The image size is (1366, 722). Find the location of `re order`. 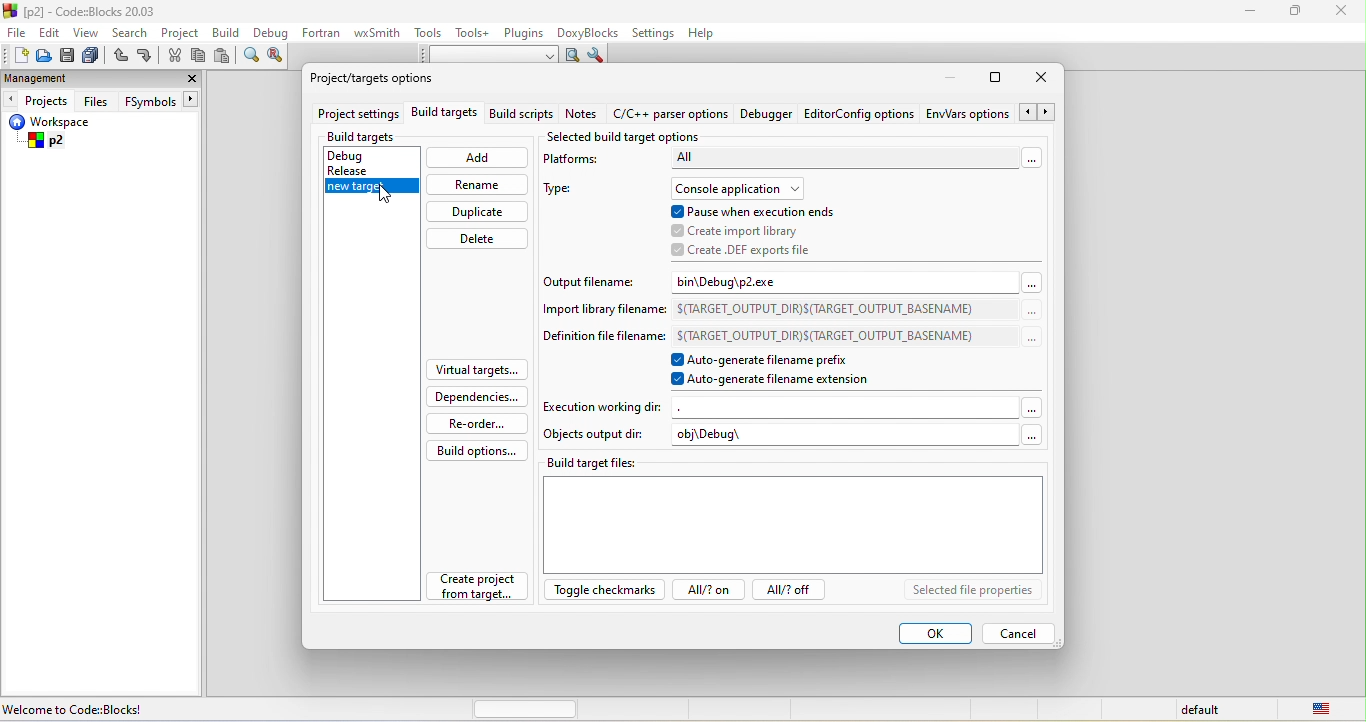

re order is located at coordinates (473, 423).